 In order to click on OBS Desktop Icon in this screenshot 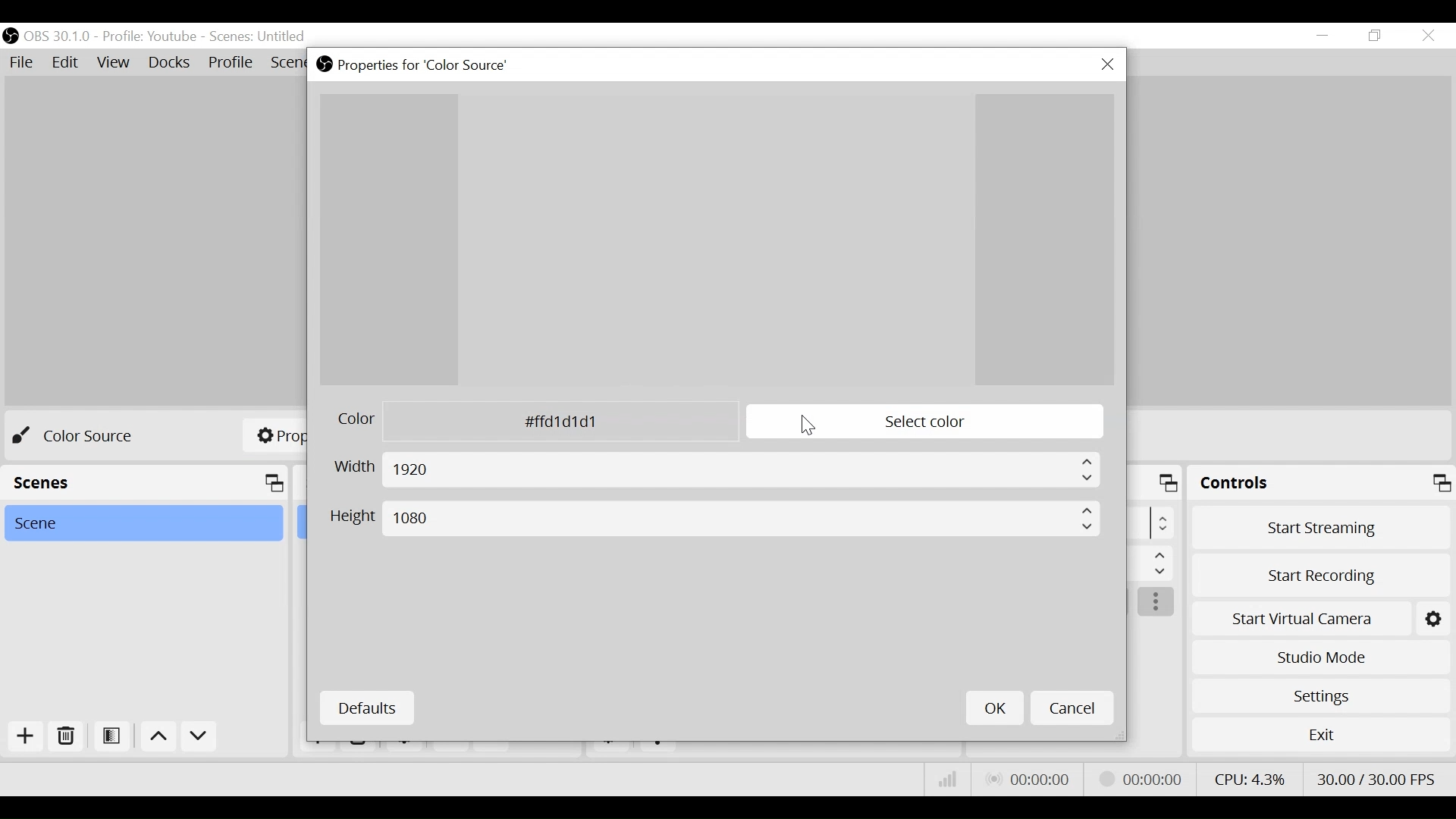, I will do `click(9, 36)`.